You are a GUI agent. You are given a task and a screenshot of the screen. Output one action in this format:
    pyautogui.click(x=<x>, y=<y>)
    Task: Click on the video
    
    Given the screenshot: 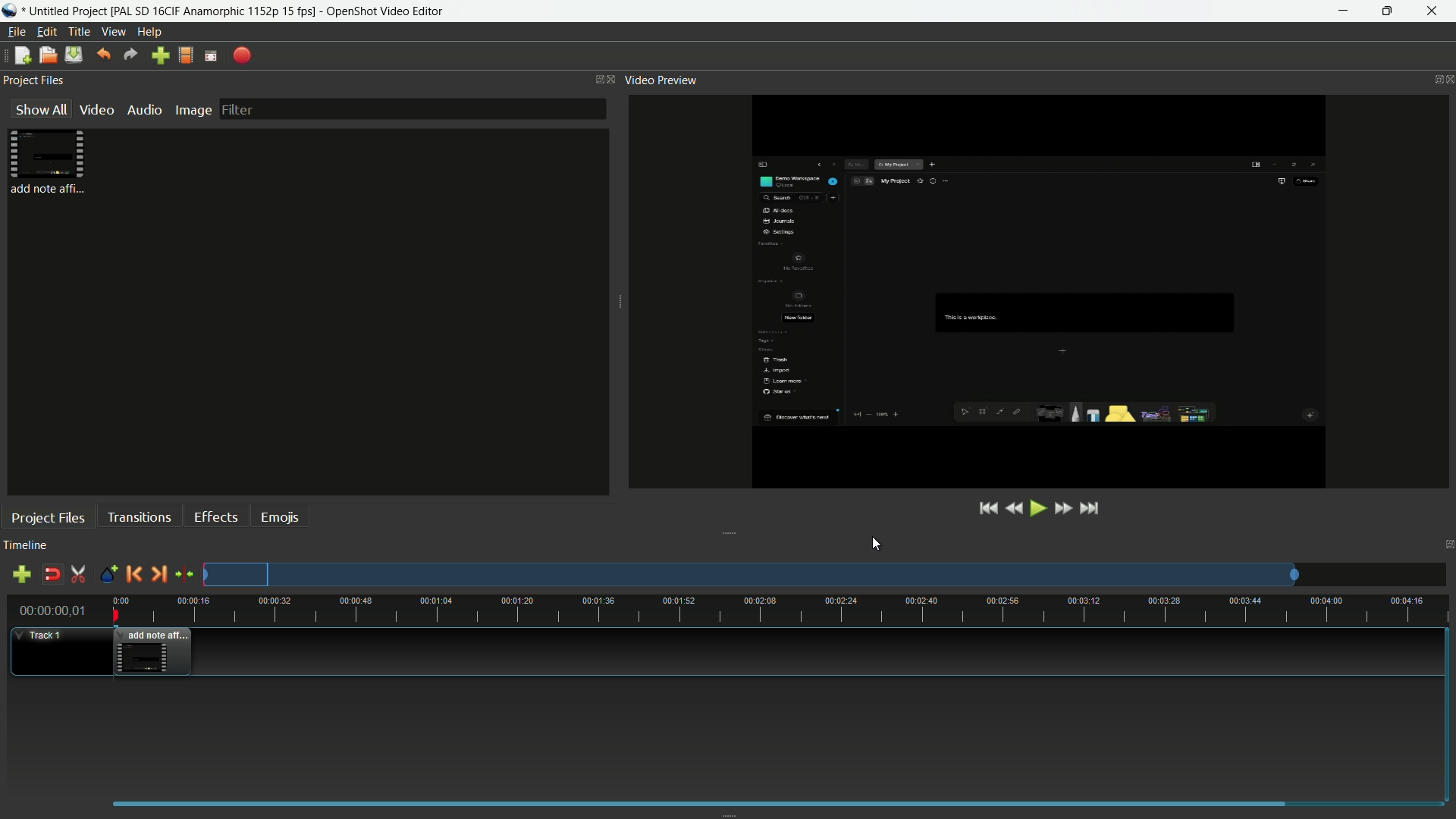 What is the action you would take?
    pyautogui.click(x=94, y=111)
    